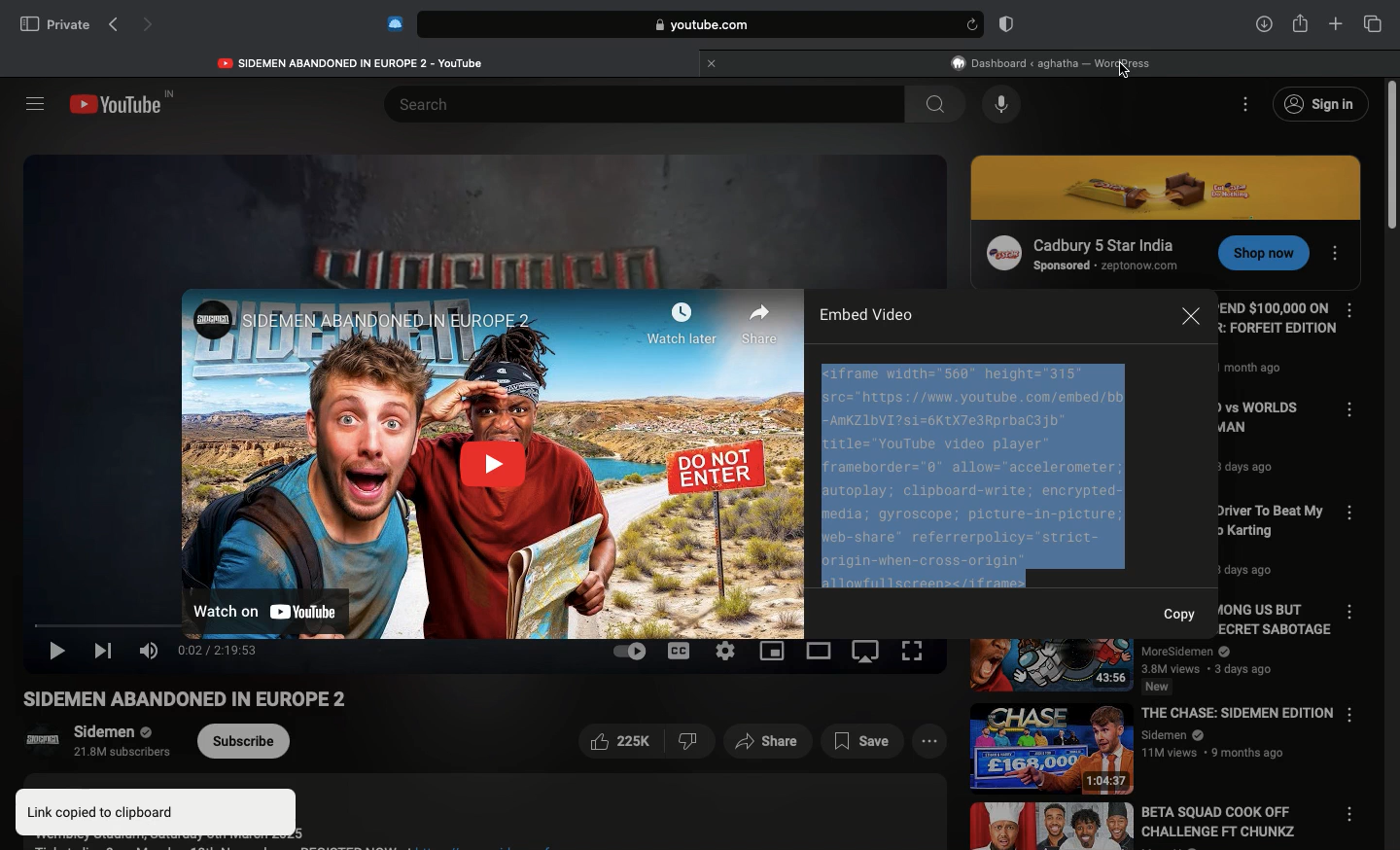  I want to click on Video, so click(492, 460).